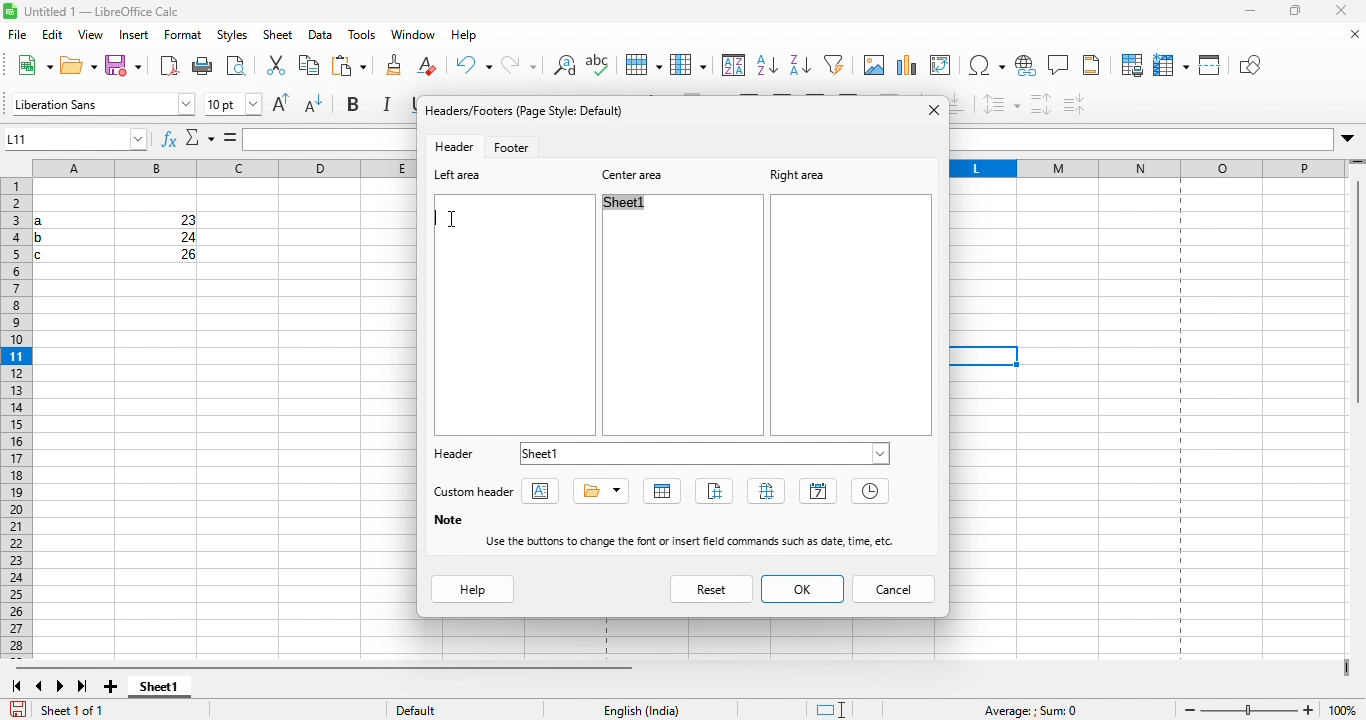 The width and height of the screenshot is (1366, 720). Describe the element at coordinates (132, 39) in the screenshot. I see `insert` at that location.